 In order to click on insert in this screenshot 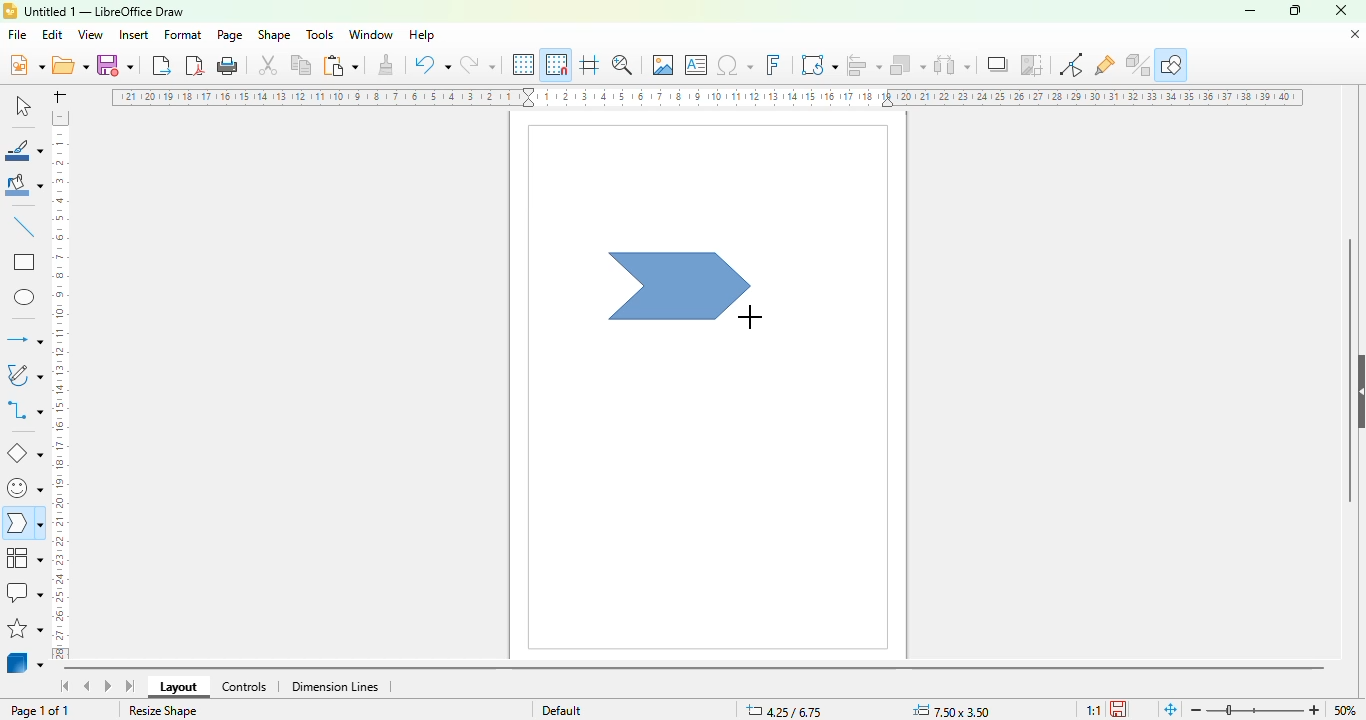, I will do `click(133, 35)`.